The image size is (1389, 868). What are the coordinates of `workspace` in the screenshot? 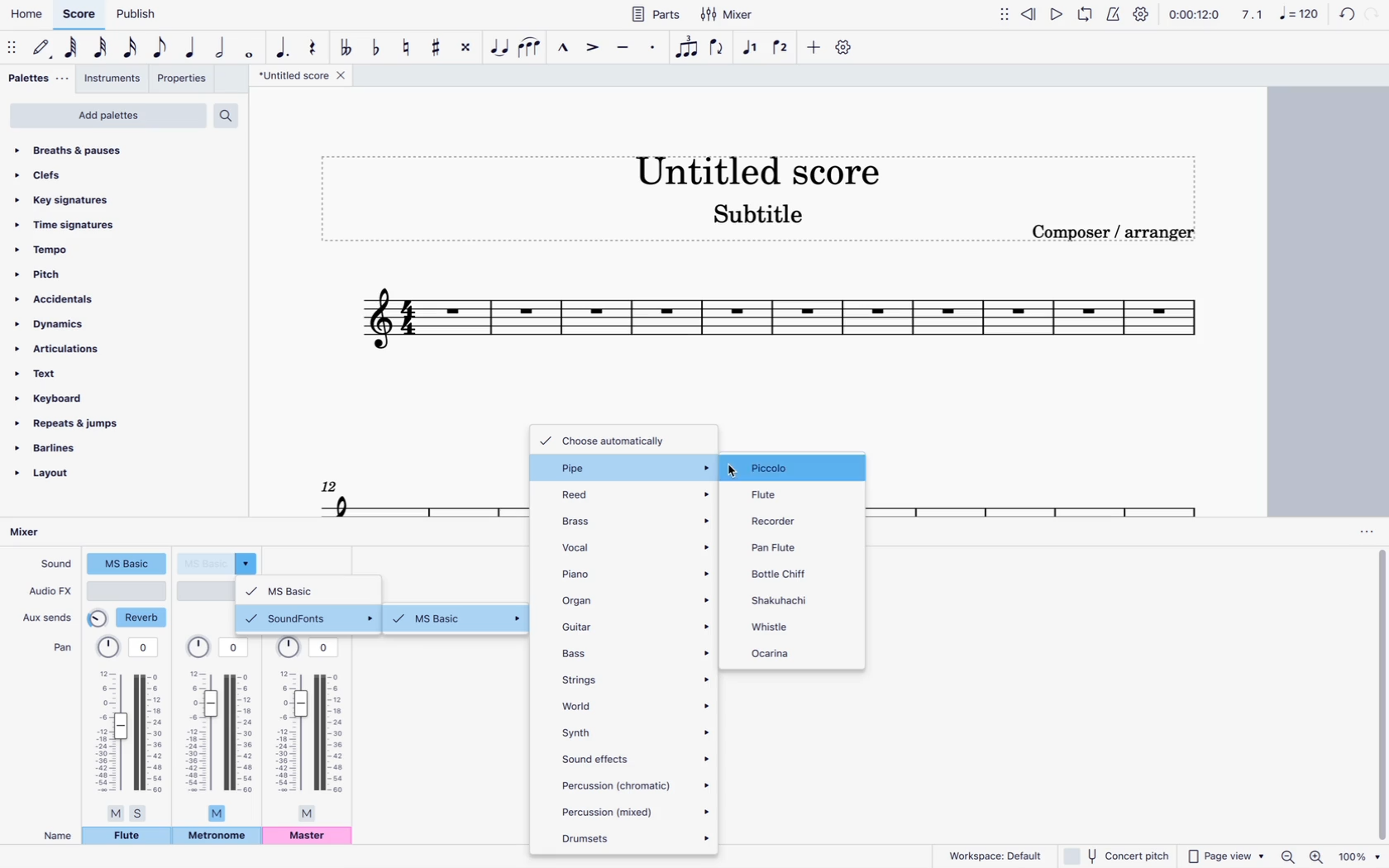 It's located at (995, 855).